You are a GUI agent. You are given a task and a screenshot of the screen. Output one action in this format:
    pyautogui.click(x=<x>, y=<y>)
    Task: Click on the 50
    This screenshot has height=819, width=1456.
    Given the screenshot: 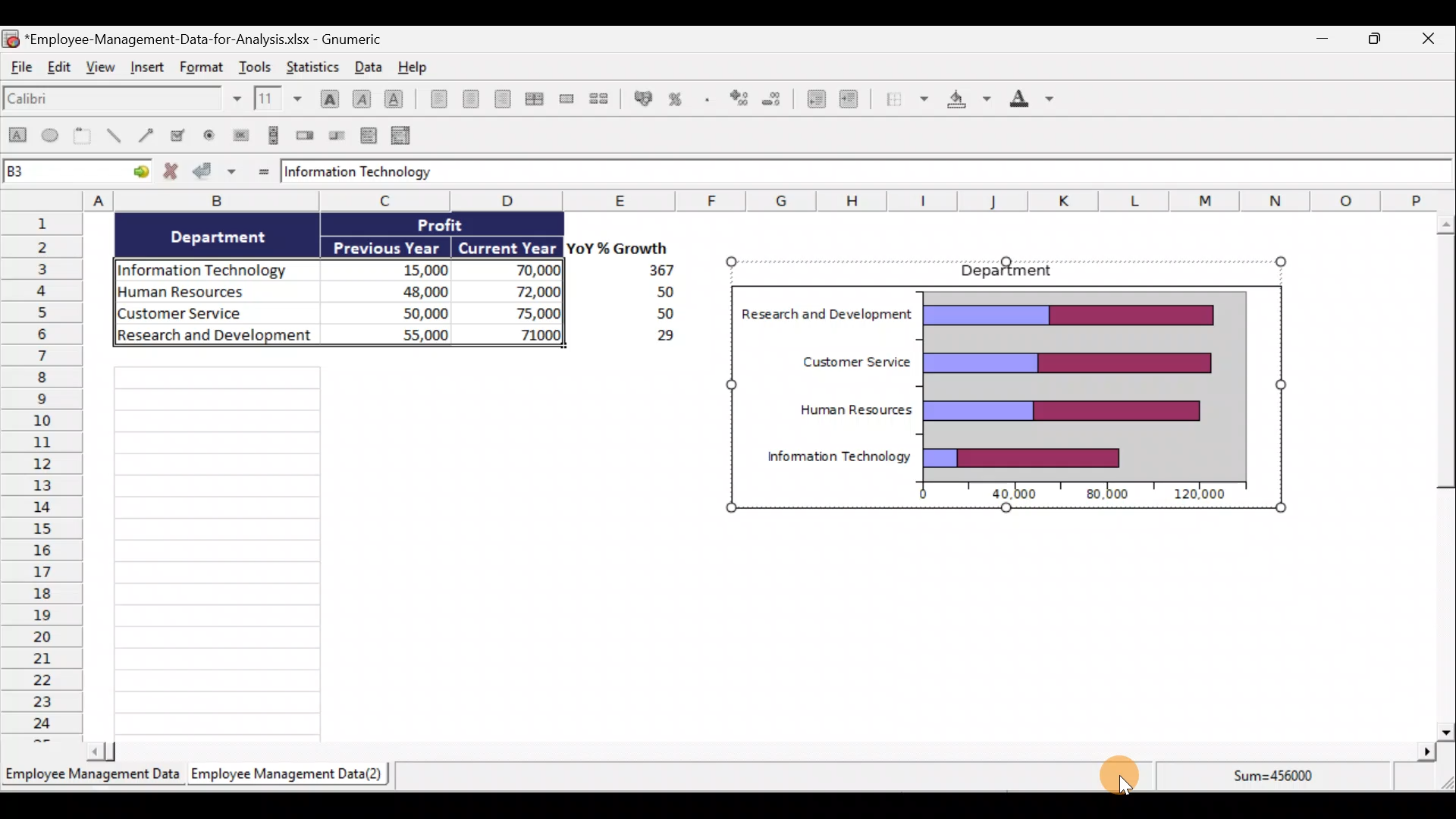 What is the action you would take?
    pyautogui.click(x=654, y=315)
    